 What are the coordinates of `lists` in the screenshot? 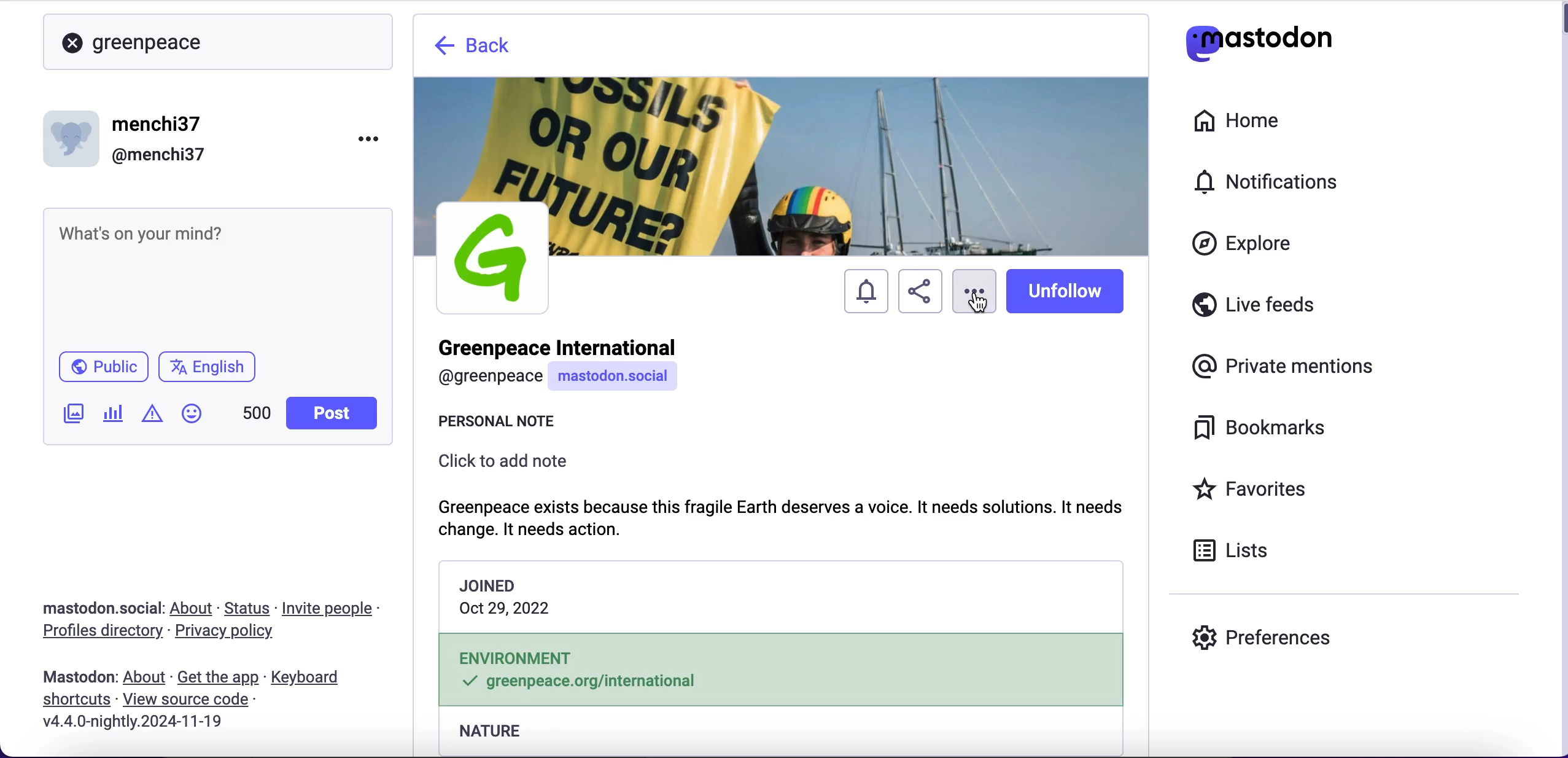 It's located at (1238, 549).